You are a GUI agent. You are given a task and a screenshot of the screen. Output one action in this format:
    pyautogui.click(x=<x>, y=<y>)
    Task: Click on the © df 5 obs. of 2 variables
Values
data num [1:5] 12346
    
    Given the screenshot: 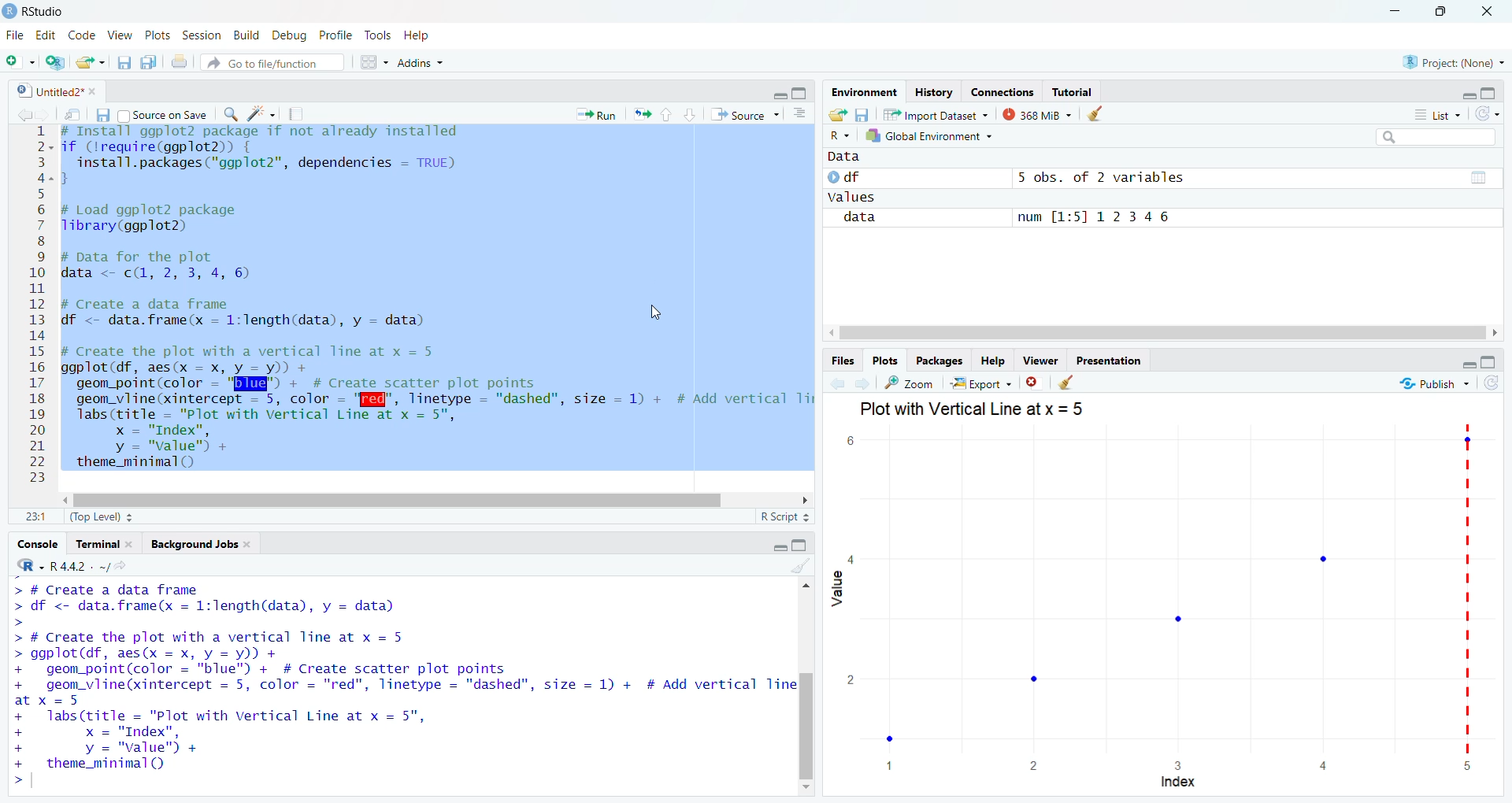 What is the action you would take?
    pyautogui.click(x=1158, y=191)
    